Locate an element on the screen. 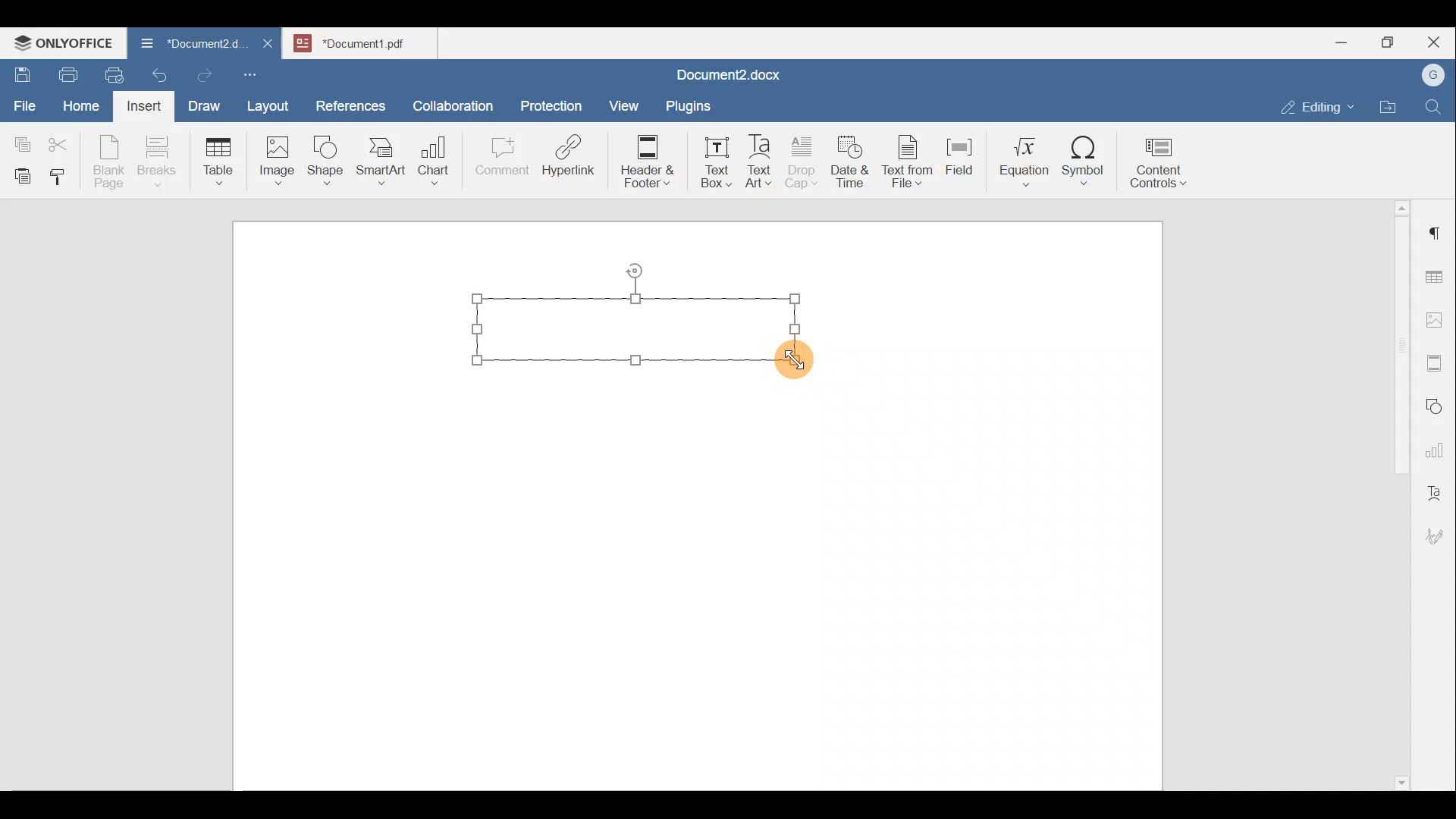 This screenshot has width=1456, height=819. Insert is located at coordinates (140, 103).